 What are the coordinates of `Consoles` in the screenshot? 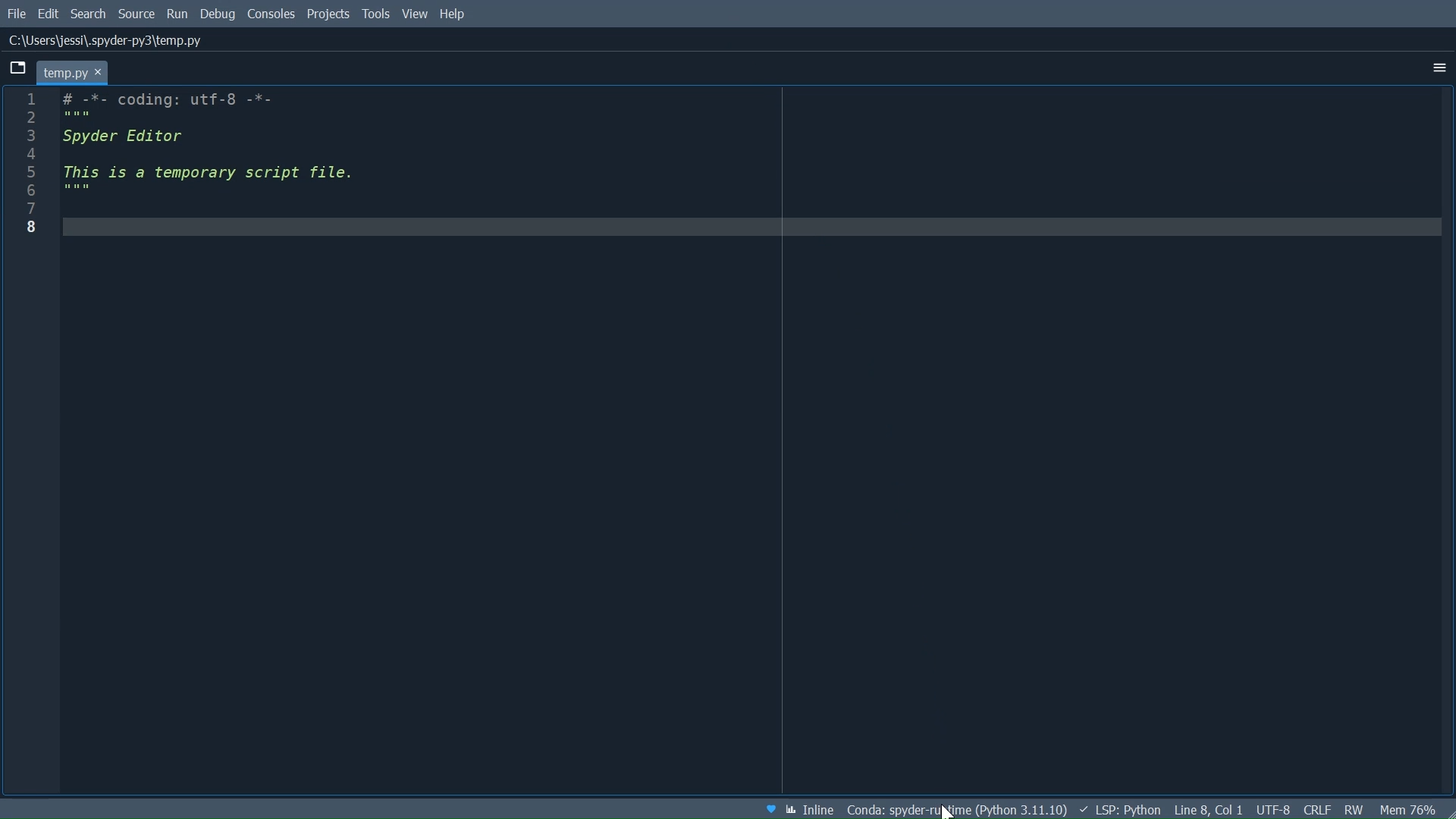 It's located at (271, 14).